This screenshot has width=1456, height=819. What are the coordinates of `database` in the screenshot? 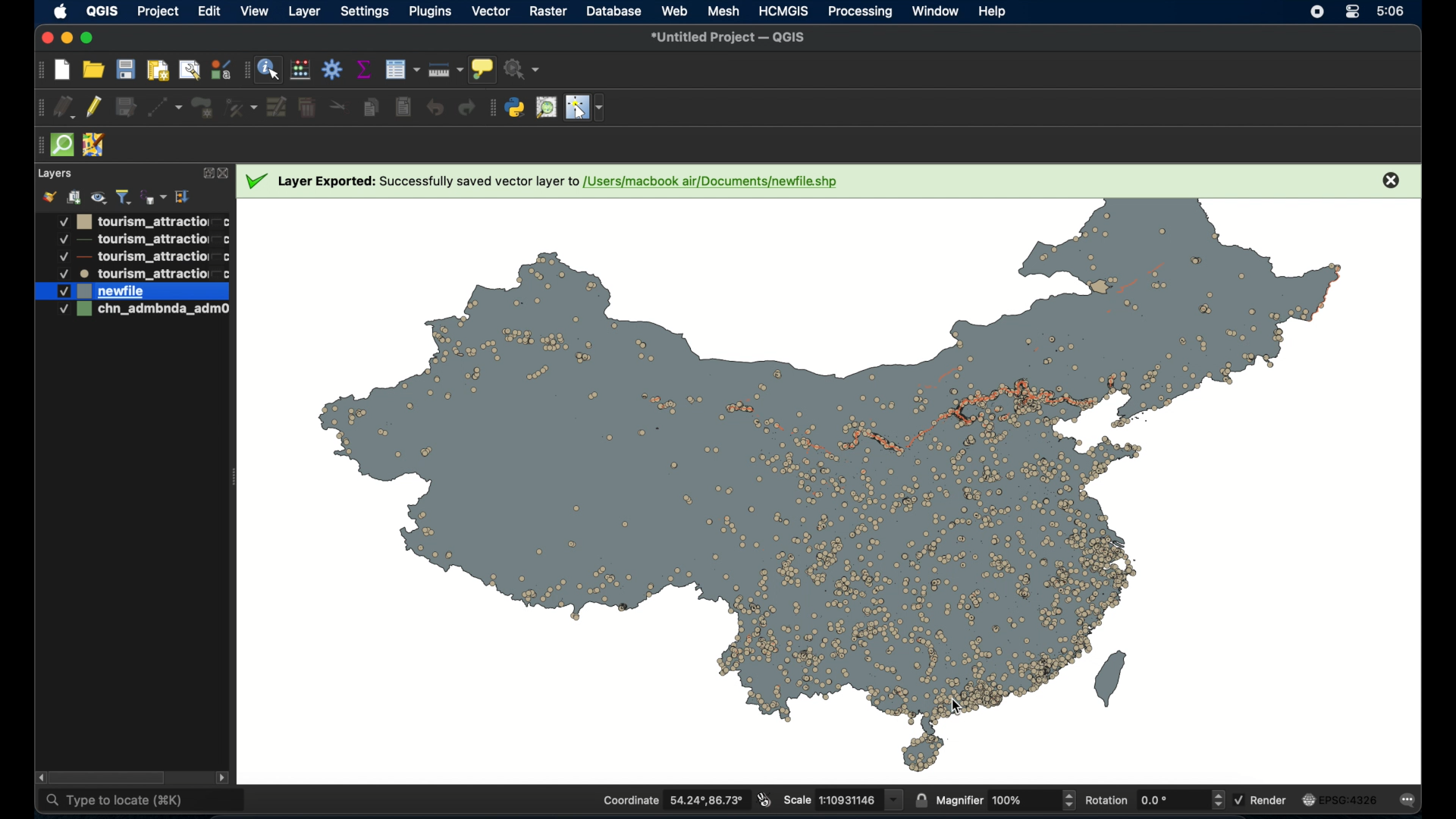 It's located at (613, 11).